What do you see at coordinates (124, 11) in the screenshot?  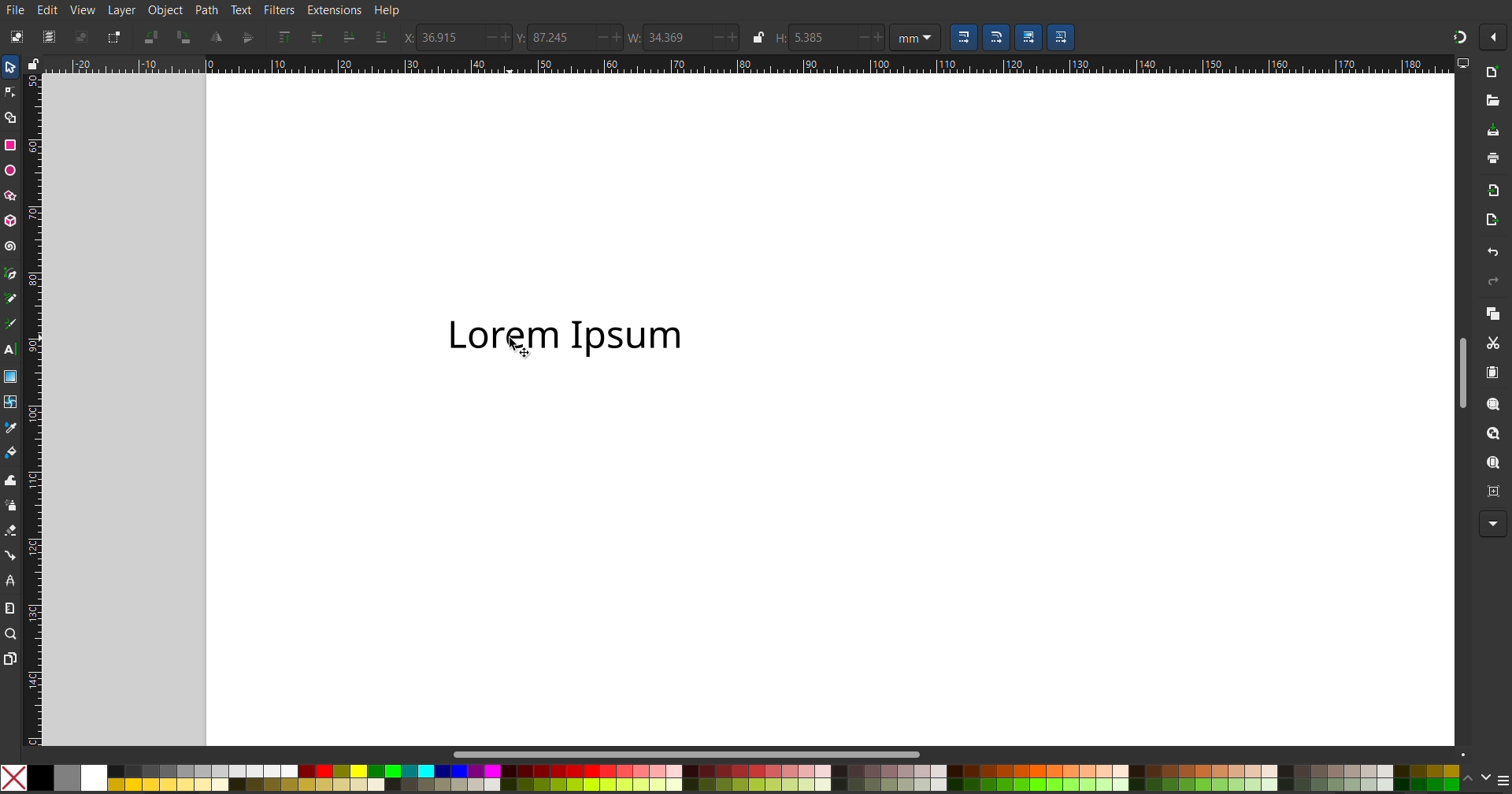 I see `Layer` at bounding box center [124, 11].